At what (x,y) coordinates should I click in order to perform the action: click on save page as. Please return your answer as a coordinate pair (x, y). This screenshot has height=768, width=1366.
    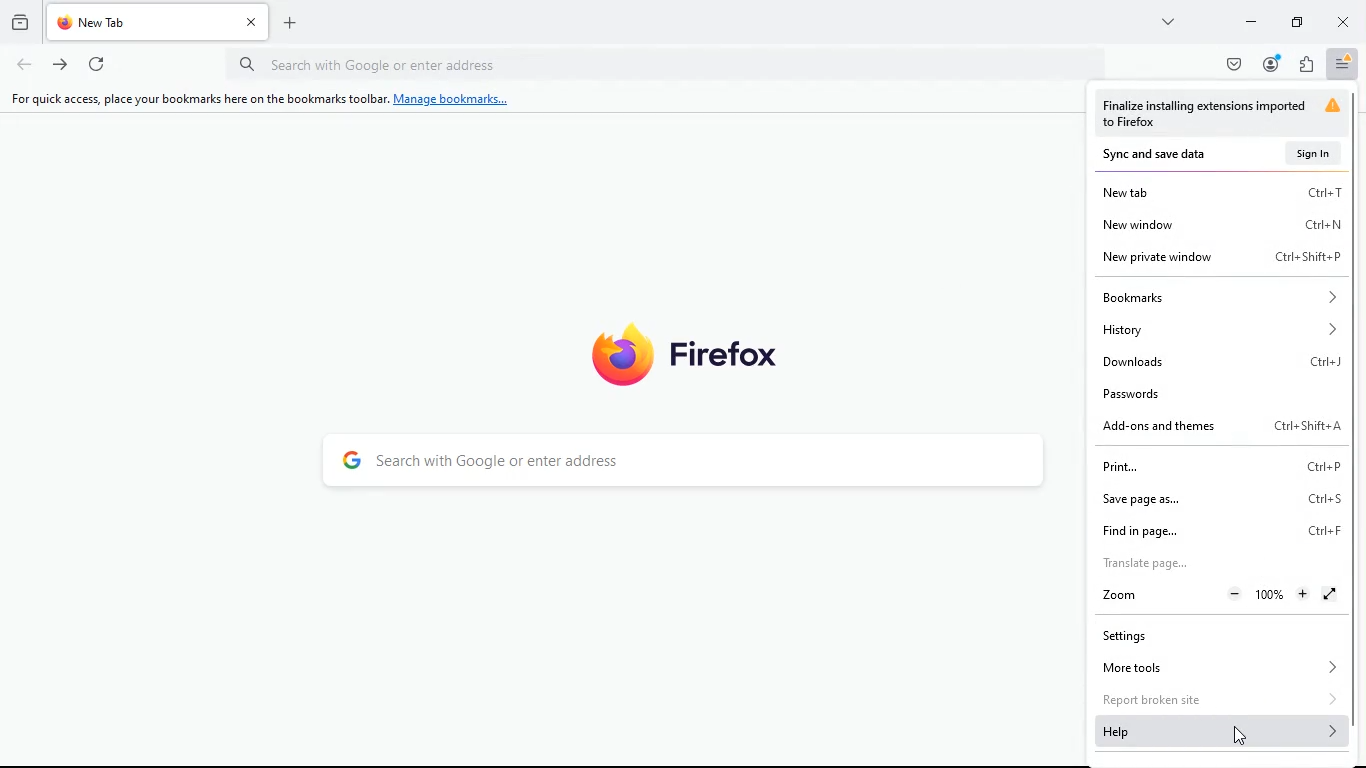
    Looking at the image, I should click on (1227, 498).